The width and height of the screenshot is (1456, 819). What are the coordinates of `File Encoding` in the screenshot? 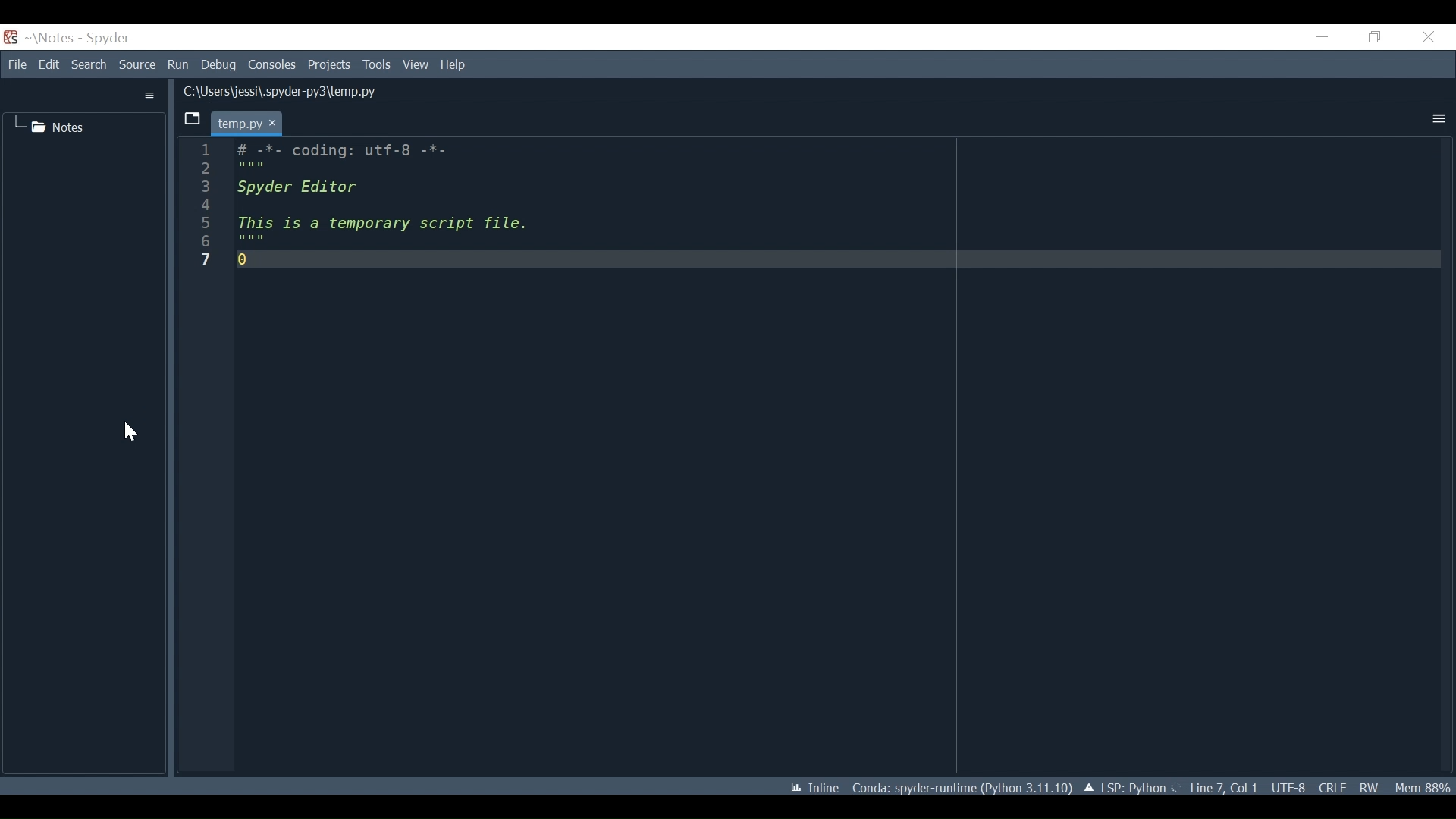 It's located at (1288, 786).